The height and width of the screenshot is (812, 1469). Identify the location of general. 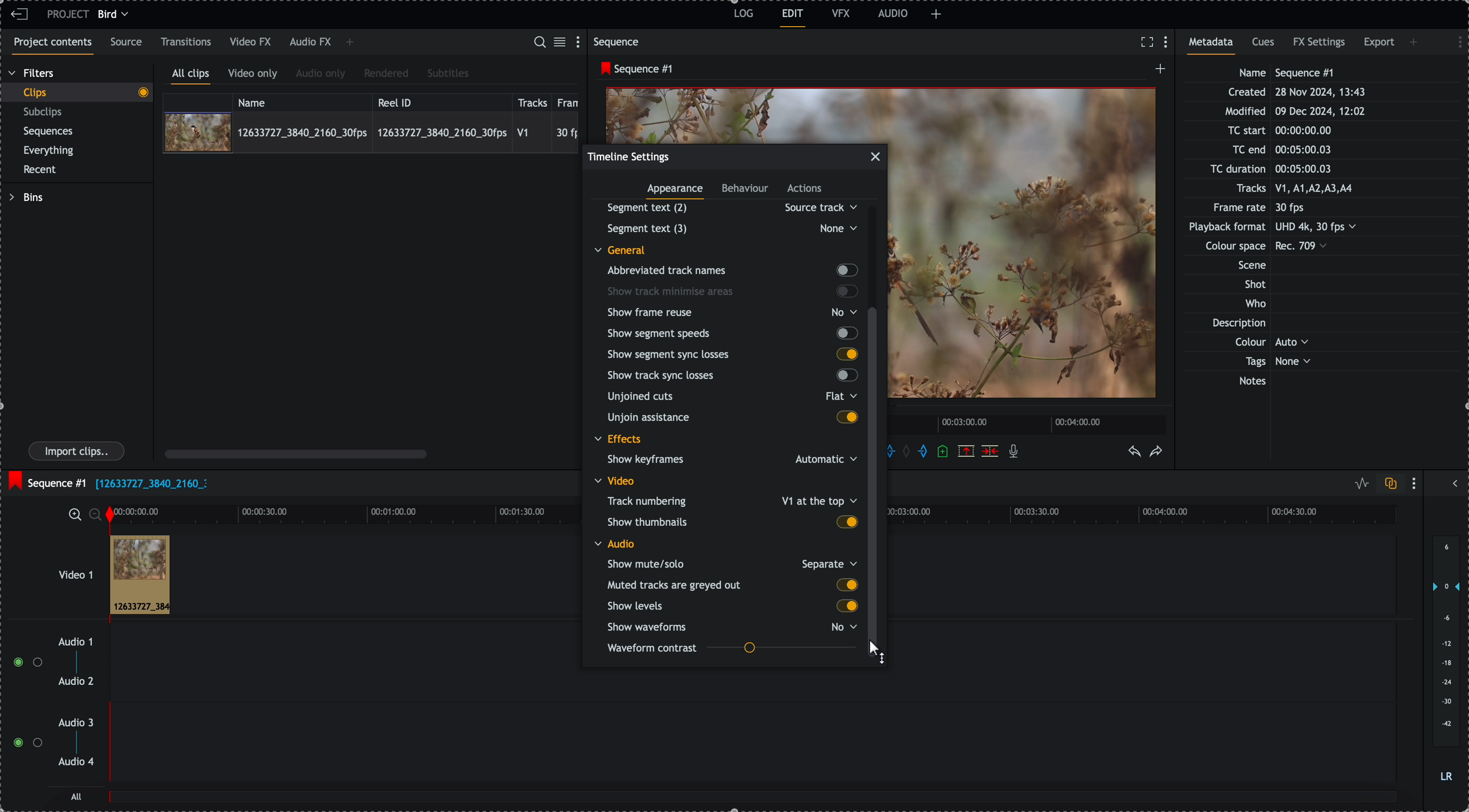
(628, 249).